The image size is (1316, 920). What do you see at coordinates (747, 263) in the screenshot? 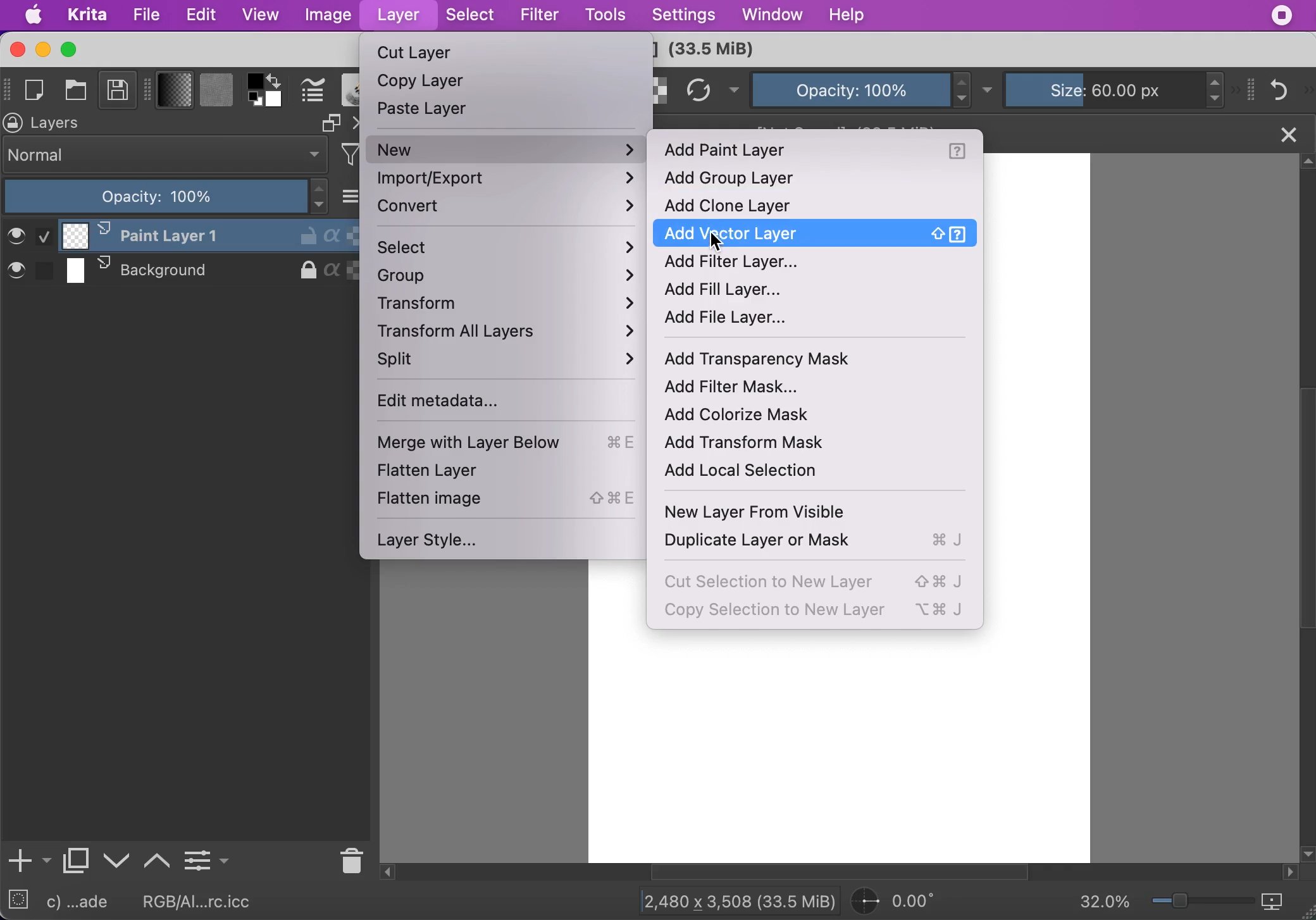
I see `add filter layer` at bounding box center [747, 263].